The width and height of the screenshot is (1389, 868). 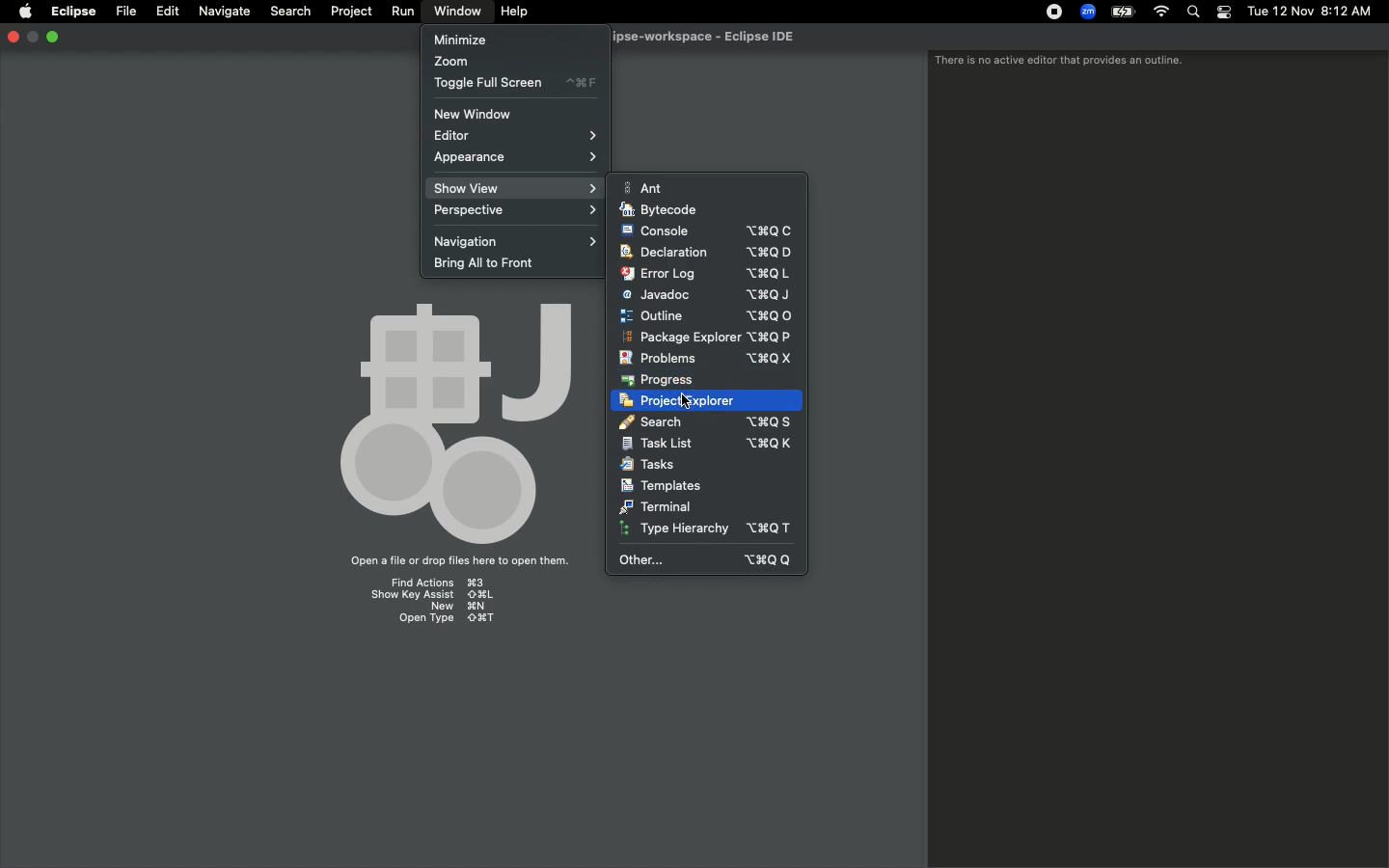 I want to click on Maximize, so click(x=53, y=38).